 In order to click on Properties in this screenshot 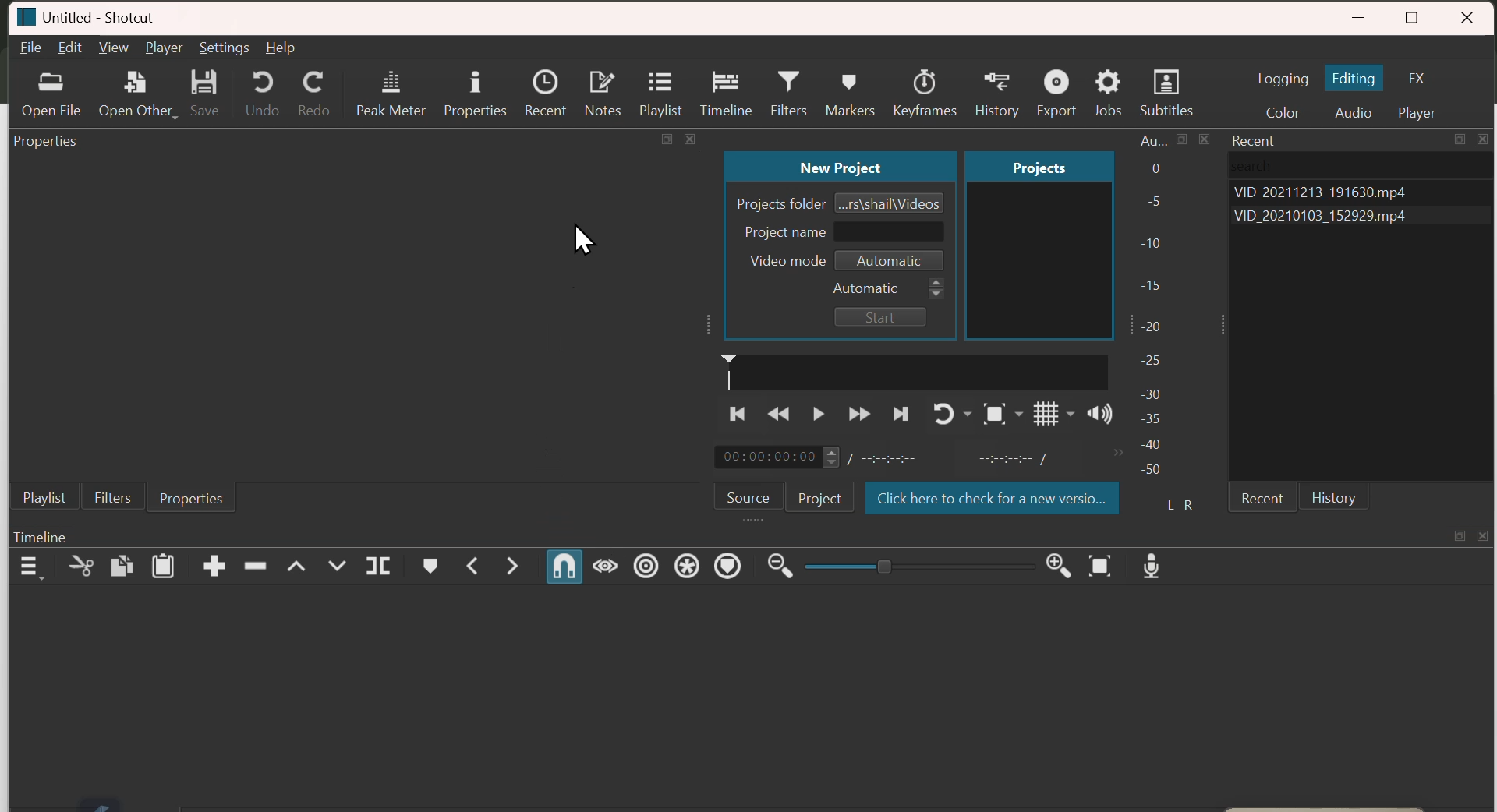, I will do `click(45, 141)`.